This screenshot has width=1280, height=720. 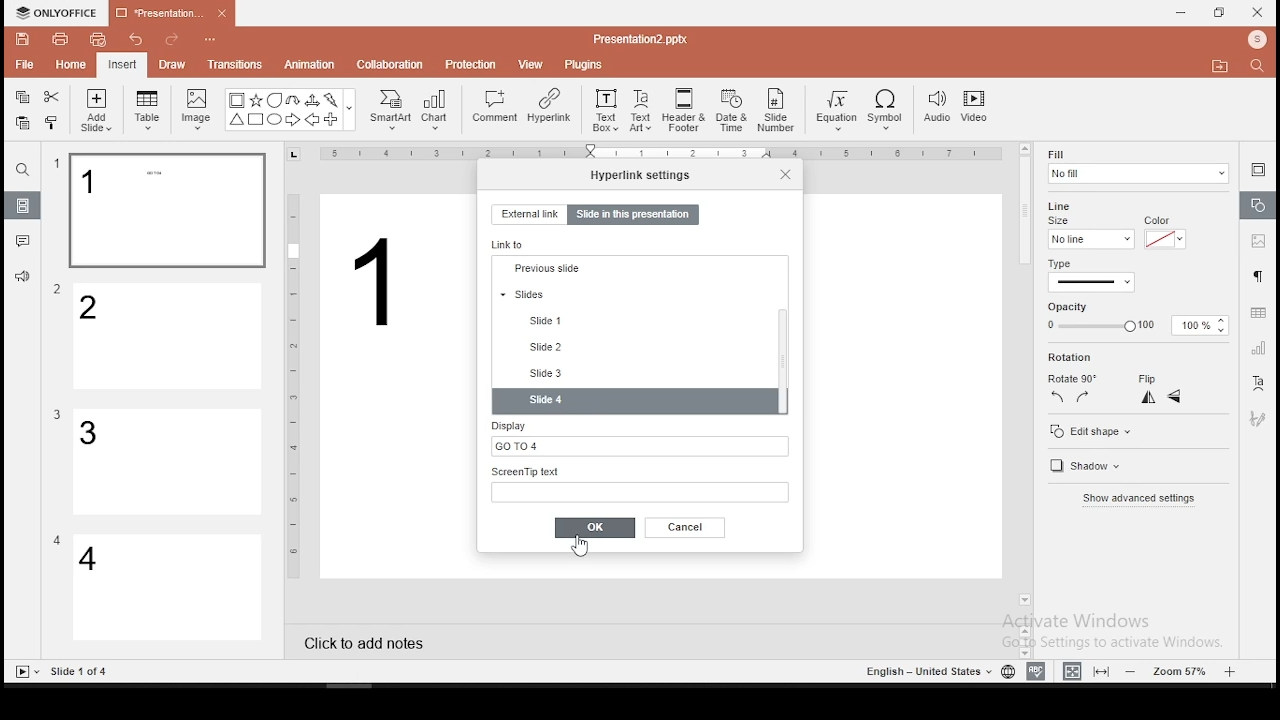 What do you see at coordinates (308, 66) in the screenshot?
I see `animation` at bounding box center [308, 66].